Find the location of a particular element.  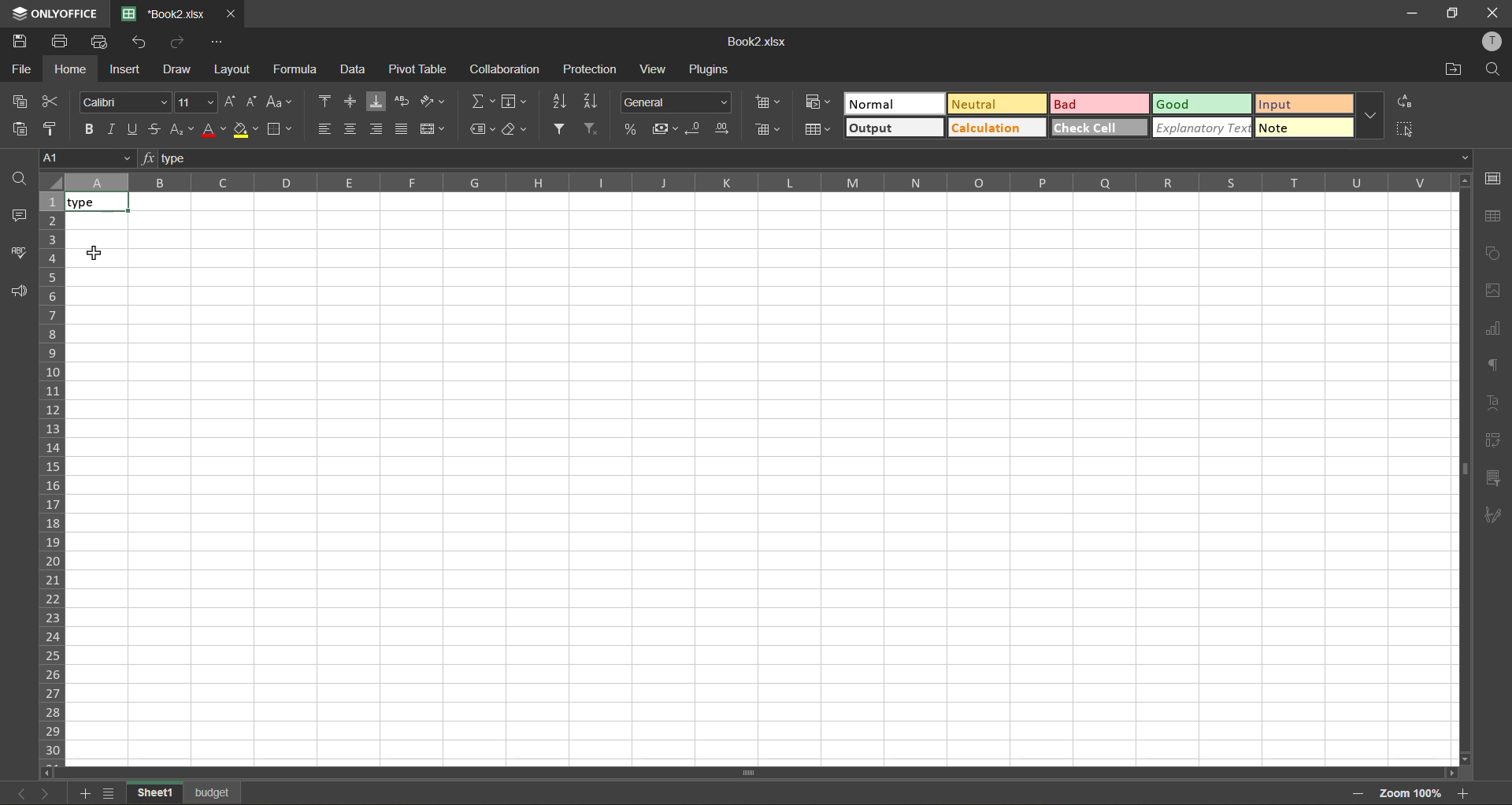

output is located at coordinates (896, 127).